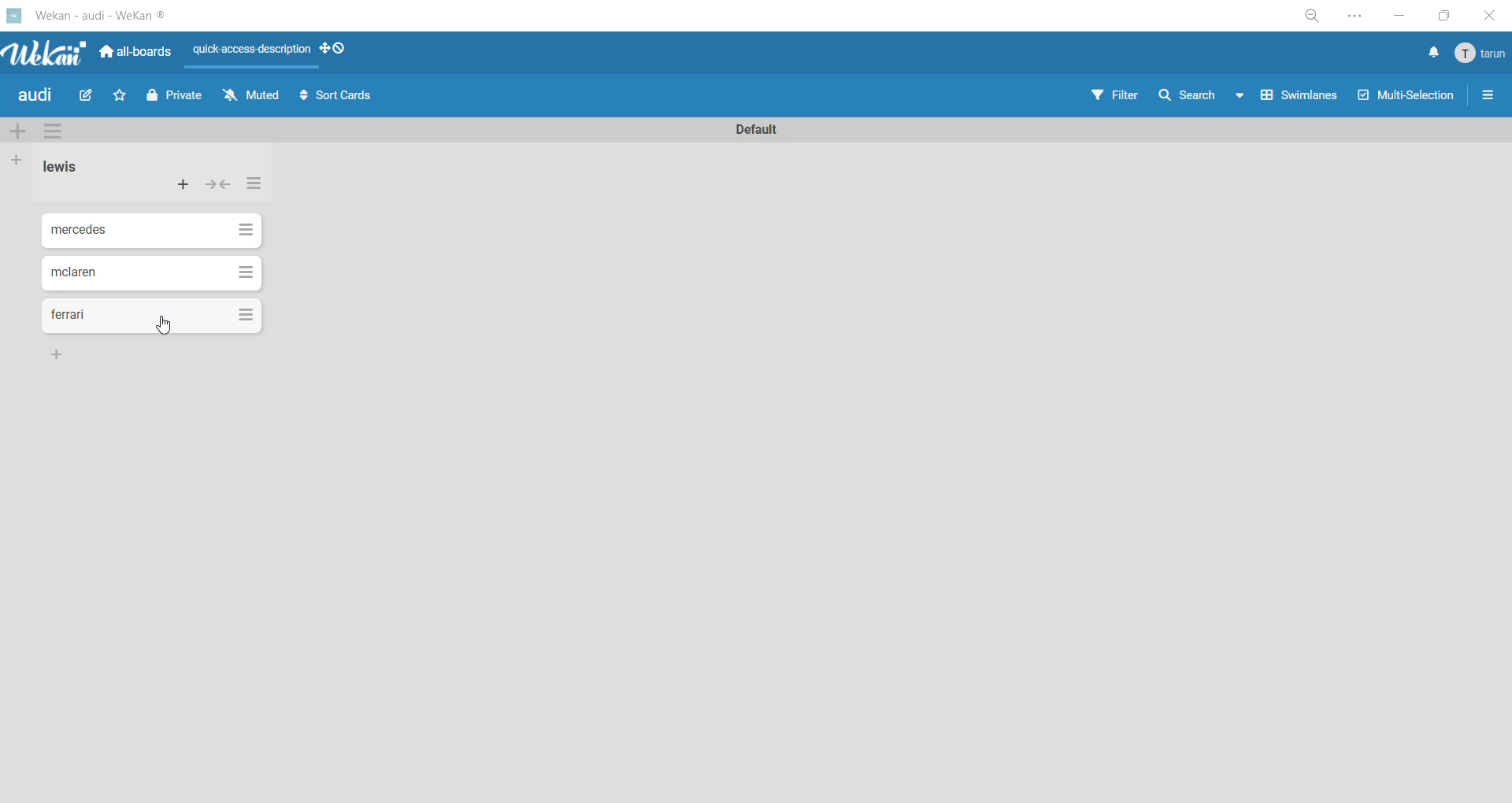  Describe the element at coordinates (1363, 16) in the screenshot. I see `settings` at that location.